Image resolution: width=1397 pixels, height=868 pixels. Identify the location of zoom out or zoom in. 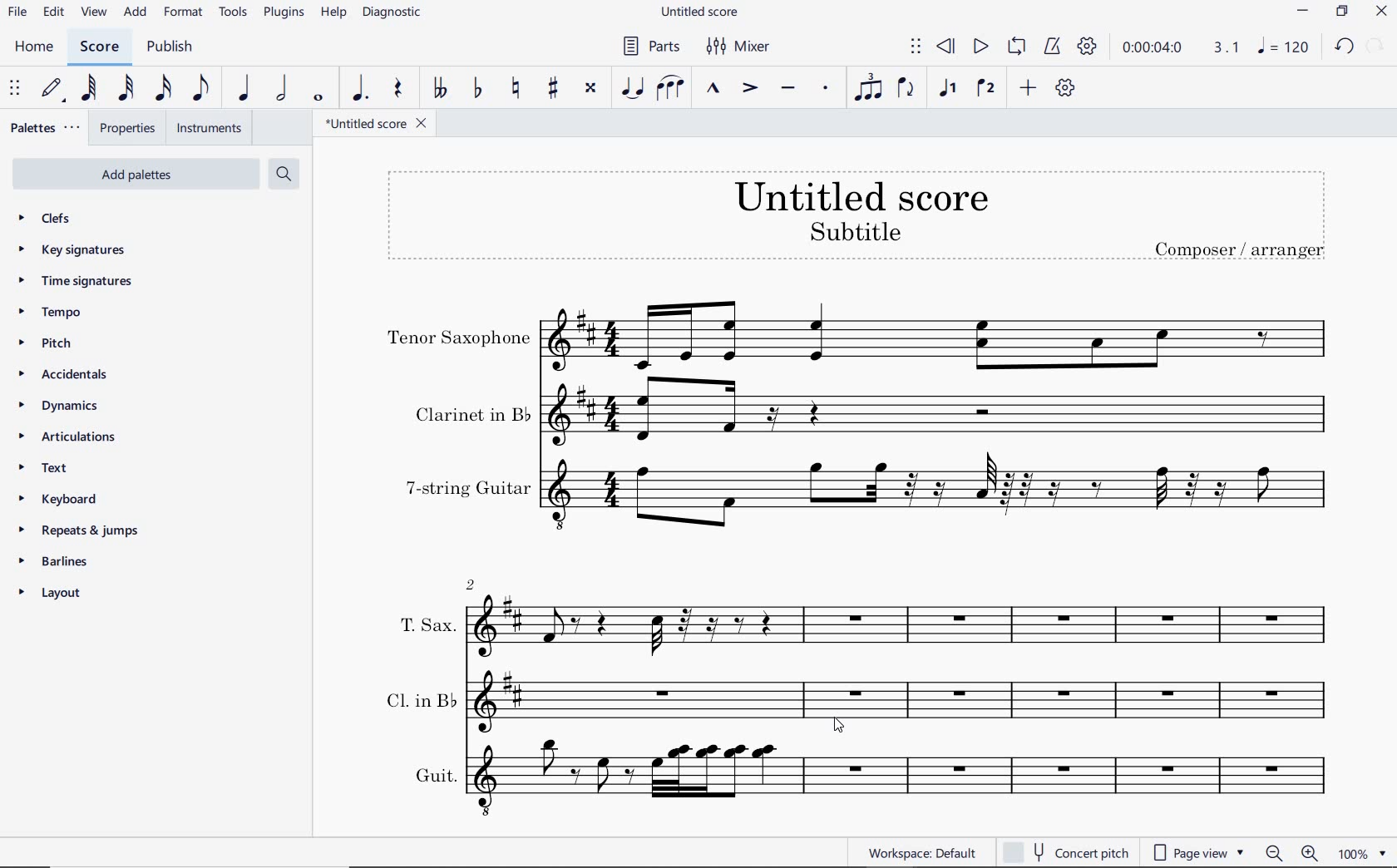
(1293, 853).